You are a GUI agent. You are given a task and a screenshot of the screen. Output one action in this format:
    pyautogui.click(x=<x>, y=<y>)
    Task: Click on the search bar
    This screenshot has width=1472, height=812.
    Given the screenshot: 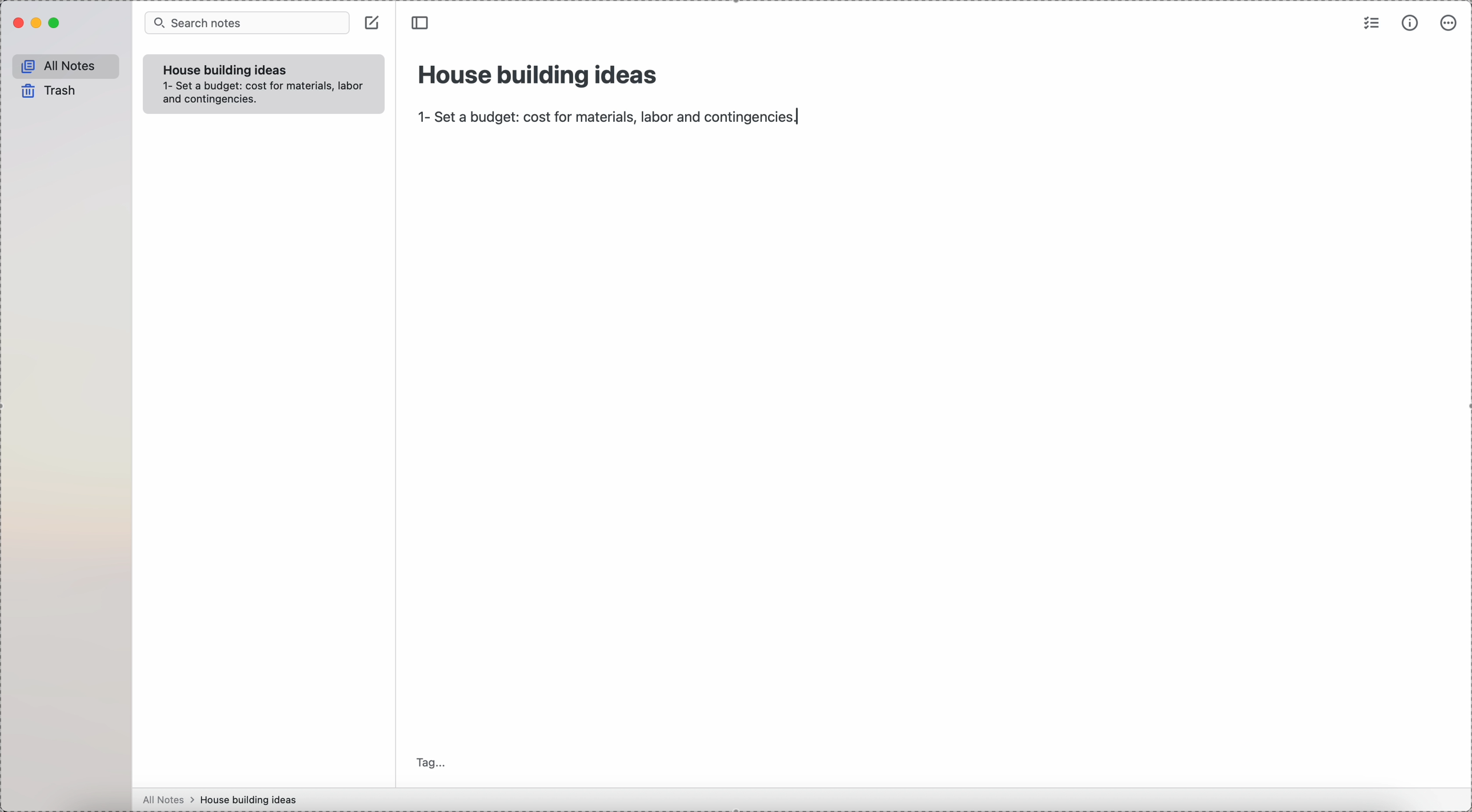 What is the action you would take?
    pyautogui.click(x=246, y=23)
    